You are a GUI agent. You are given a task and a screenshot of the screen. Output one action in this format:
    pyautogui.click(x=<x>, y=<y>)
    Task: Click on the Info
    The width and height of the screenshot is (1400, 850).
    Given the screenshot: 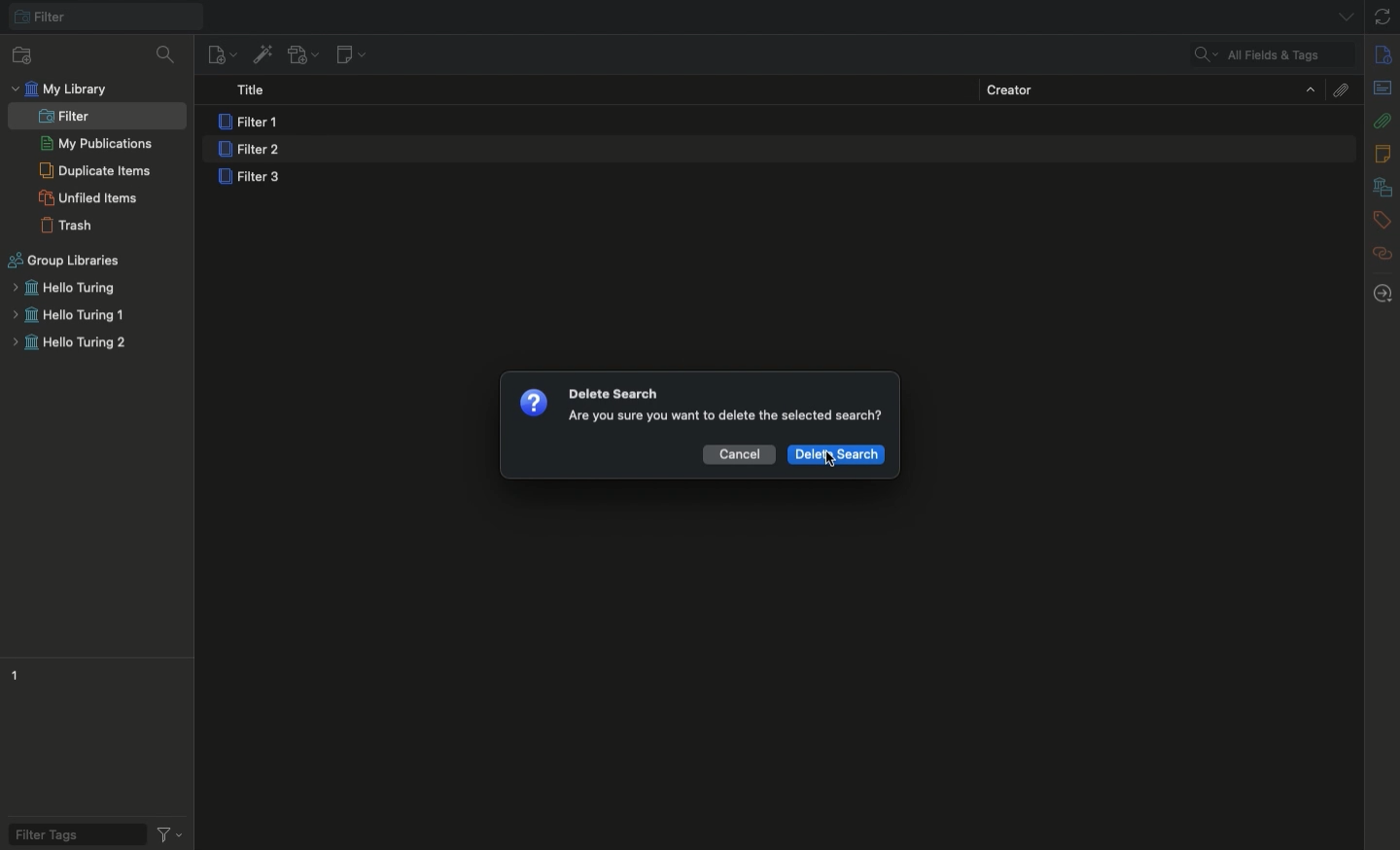 What is the action you would take?
    pyautogui.click(x=1384, y=55)
    